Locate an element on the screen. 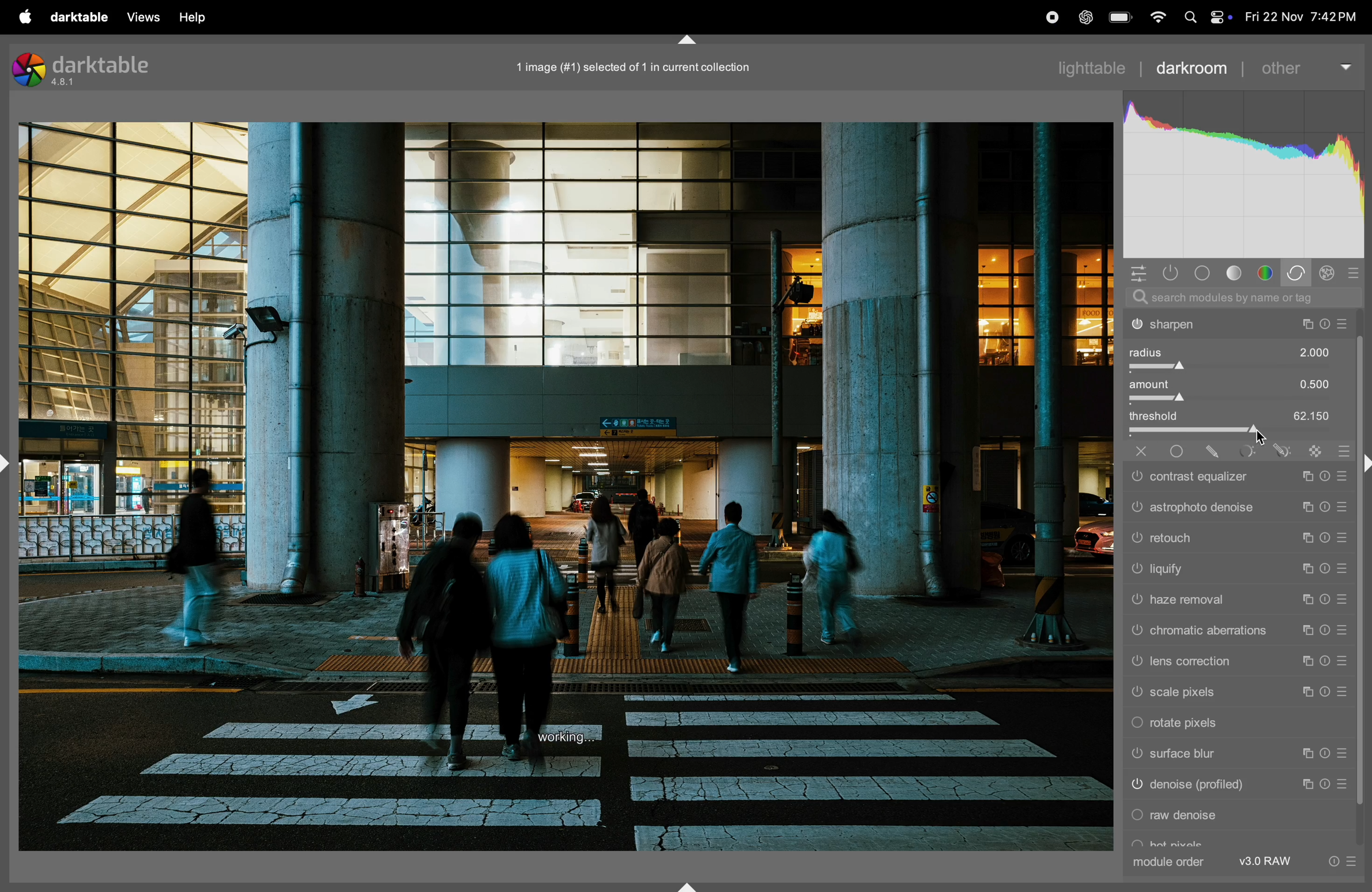  rotate pixels is located at coordinates (1234, 725).